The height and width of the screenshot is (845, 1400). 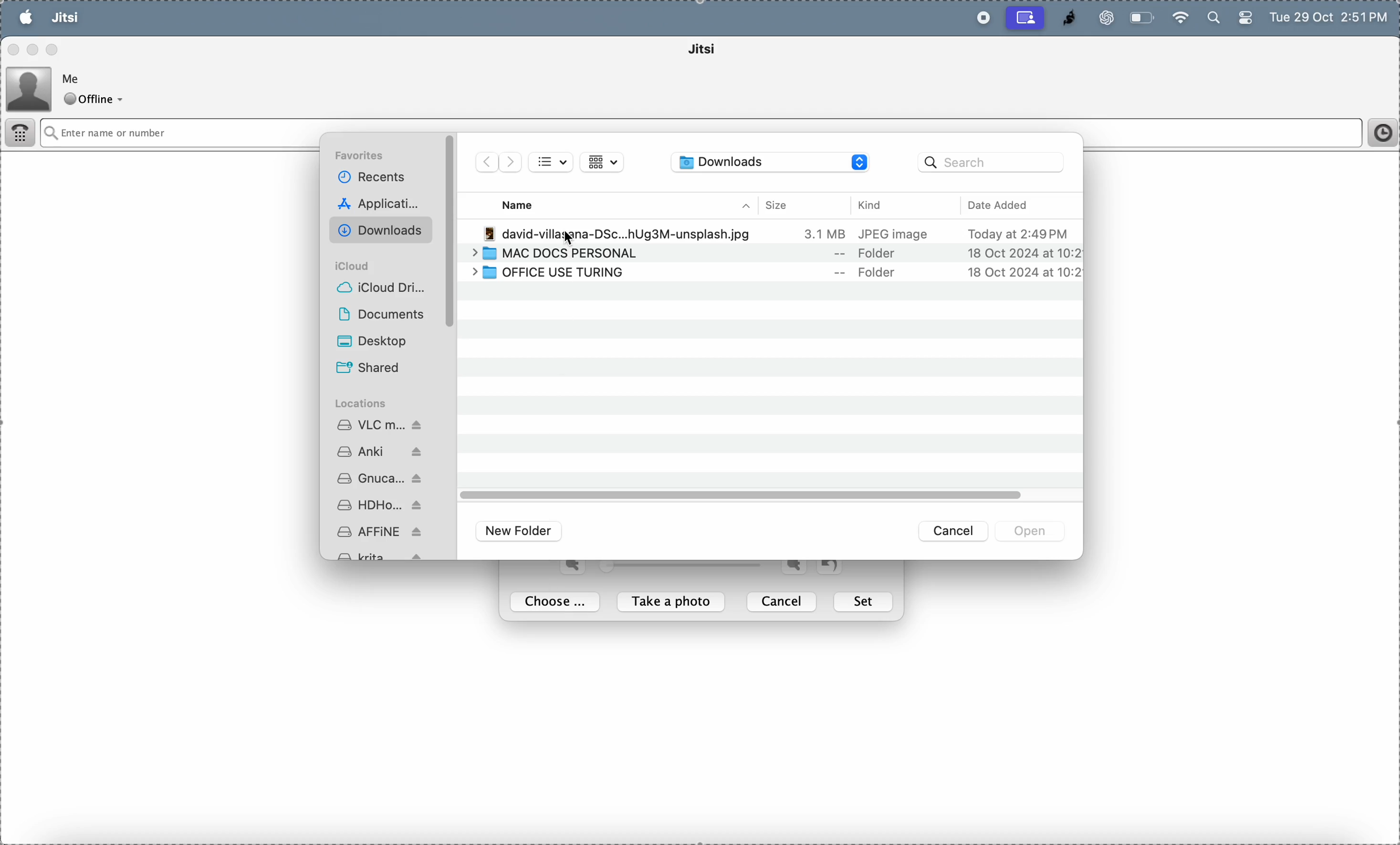 I want to click on Documents, so click(x=387, y=313).